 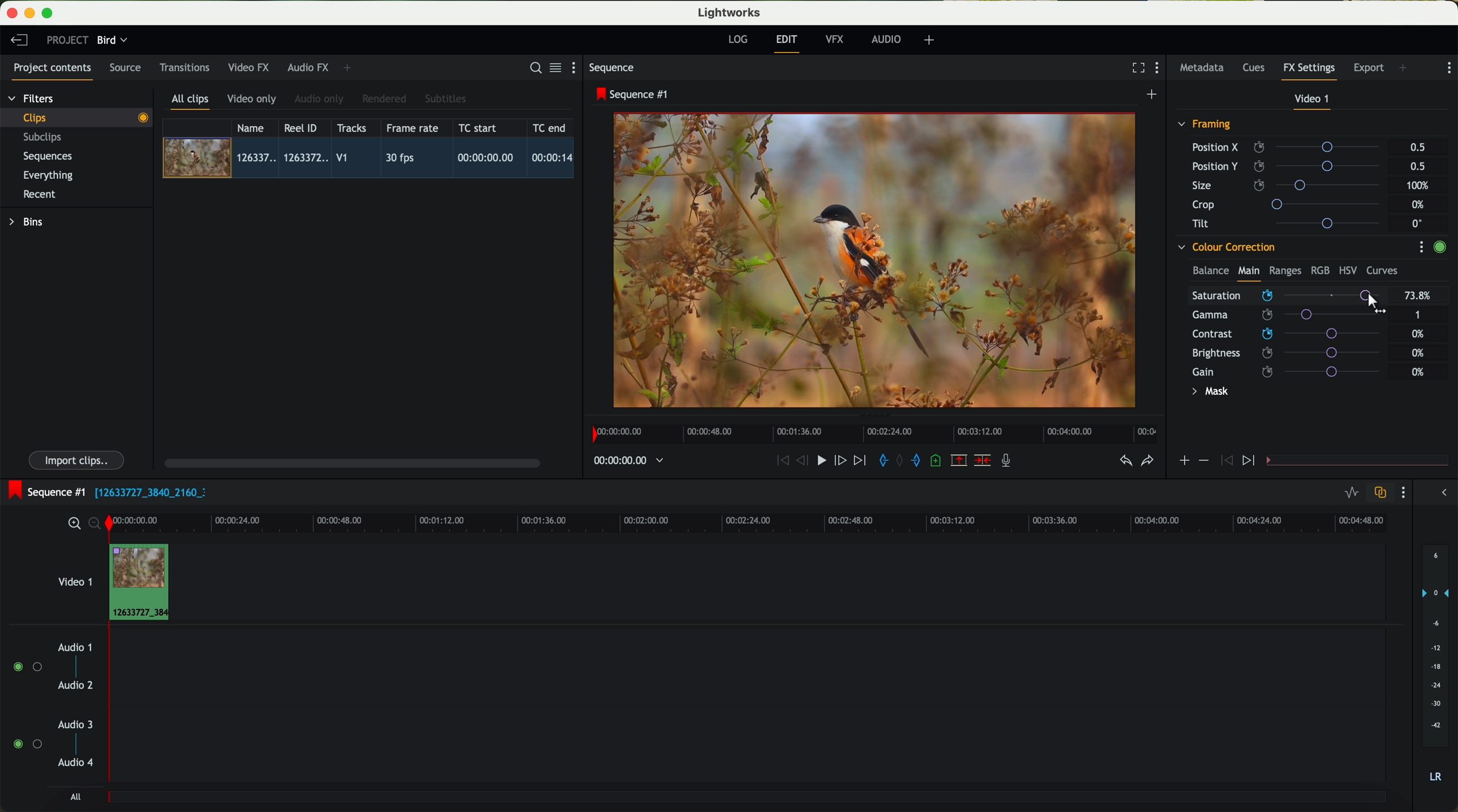 What do you see at coordinates (1183, 462) in the screenshot?
I see `icon` at bounding box center [1183, 462].